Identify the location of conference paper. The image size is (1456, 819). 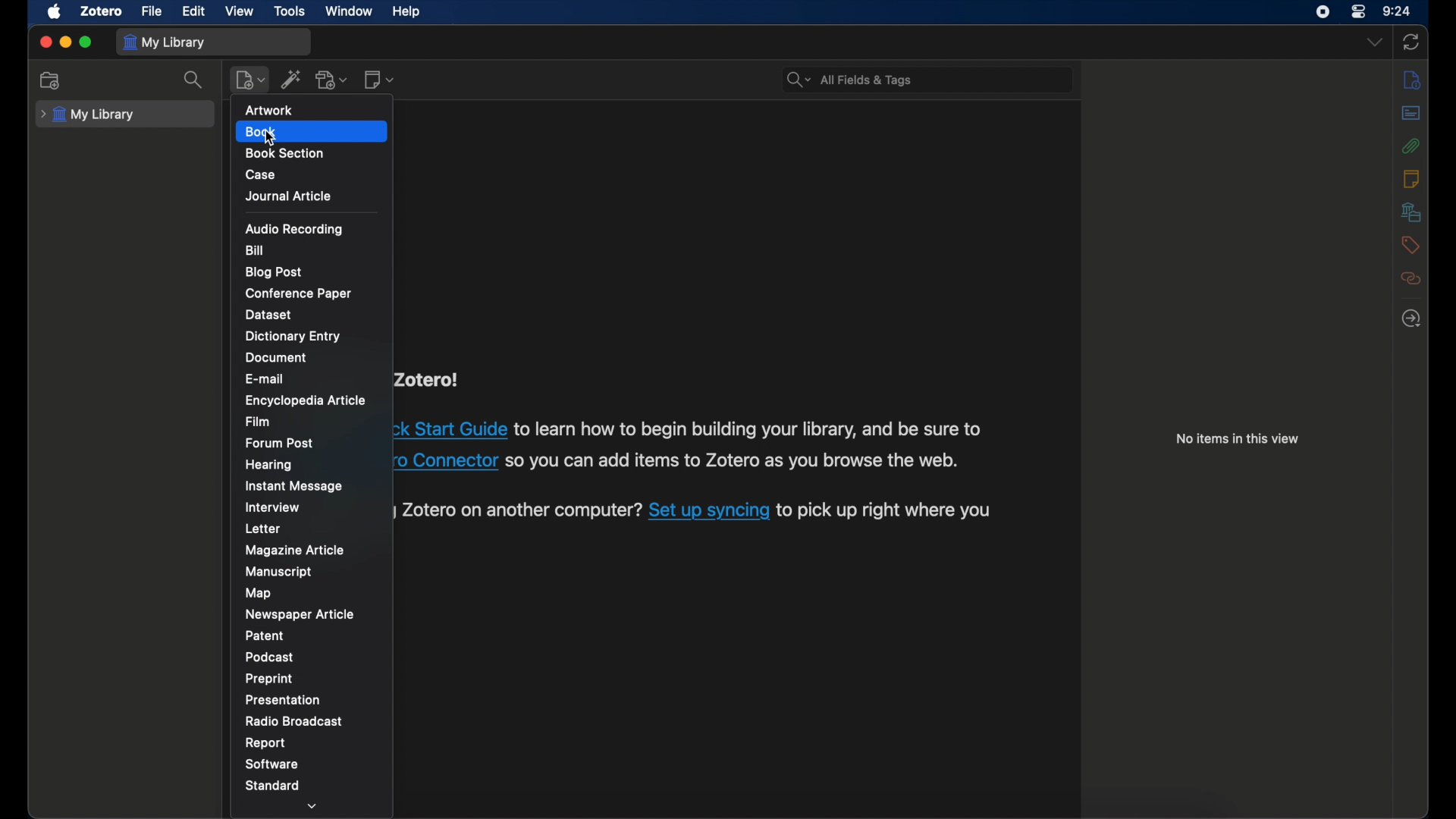
(300, 294).